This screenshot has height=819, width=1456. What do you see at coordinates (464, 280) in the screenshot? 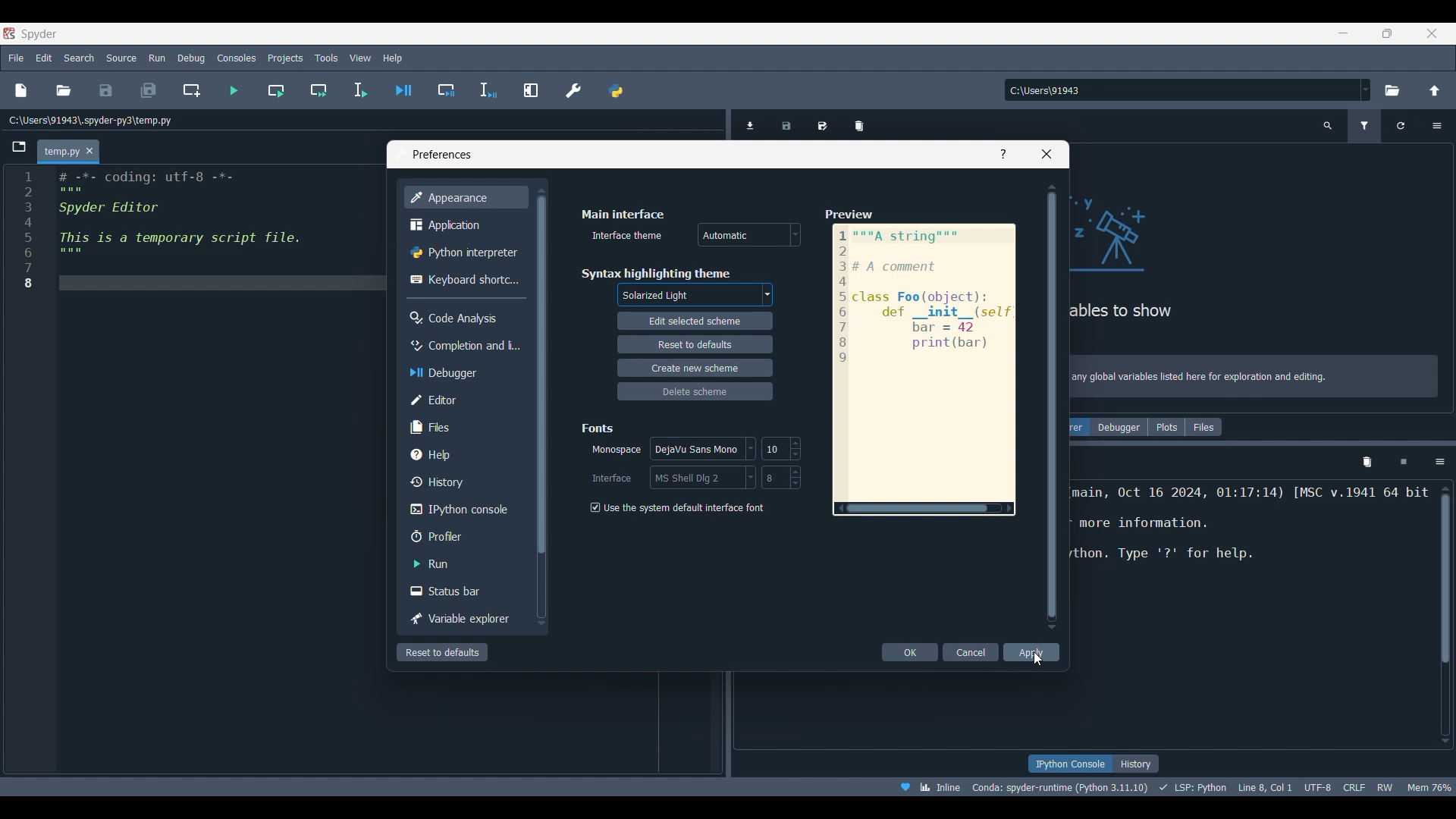
I see `Keyboard shortcut` at bounding box center [464, 280].